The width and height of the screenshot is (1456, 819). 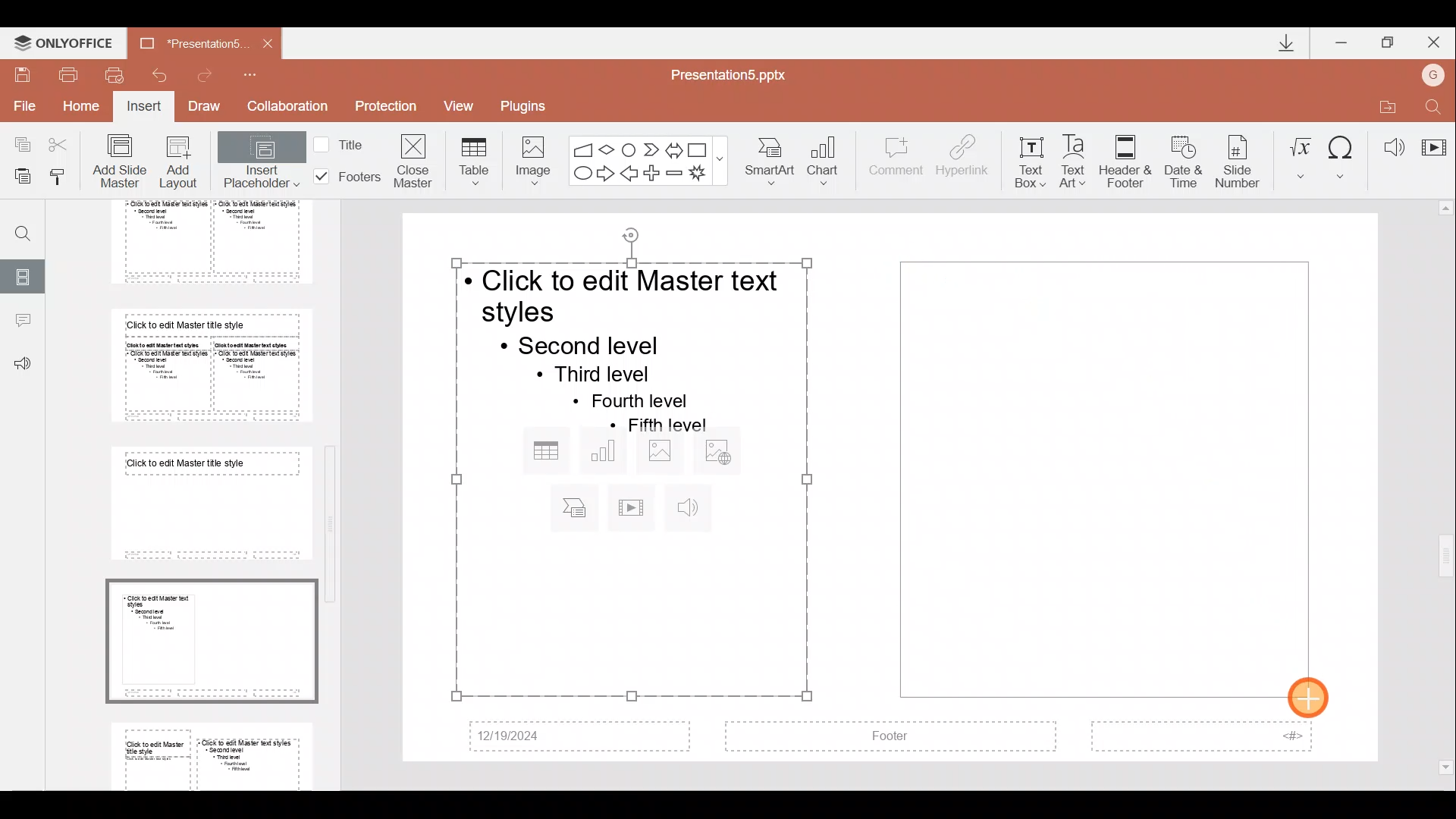 I want to click on Collaboration, so click(x=287, y=106).